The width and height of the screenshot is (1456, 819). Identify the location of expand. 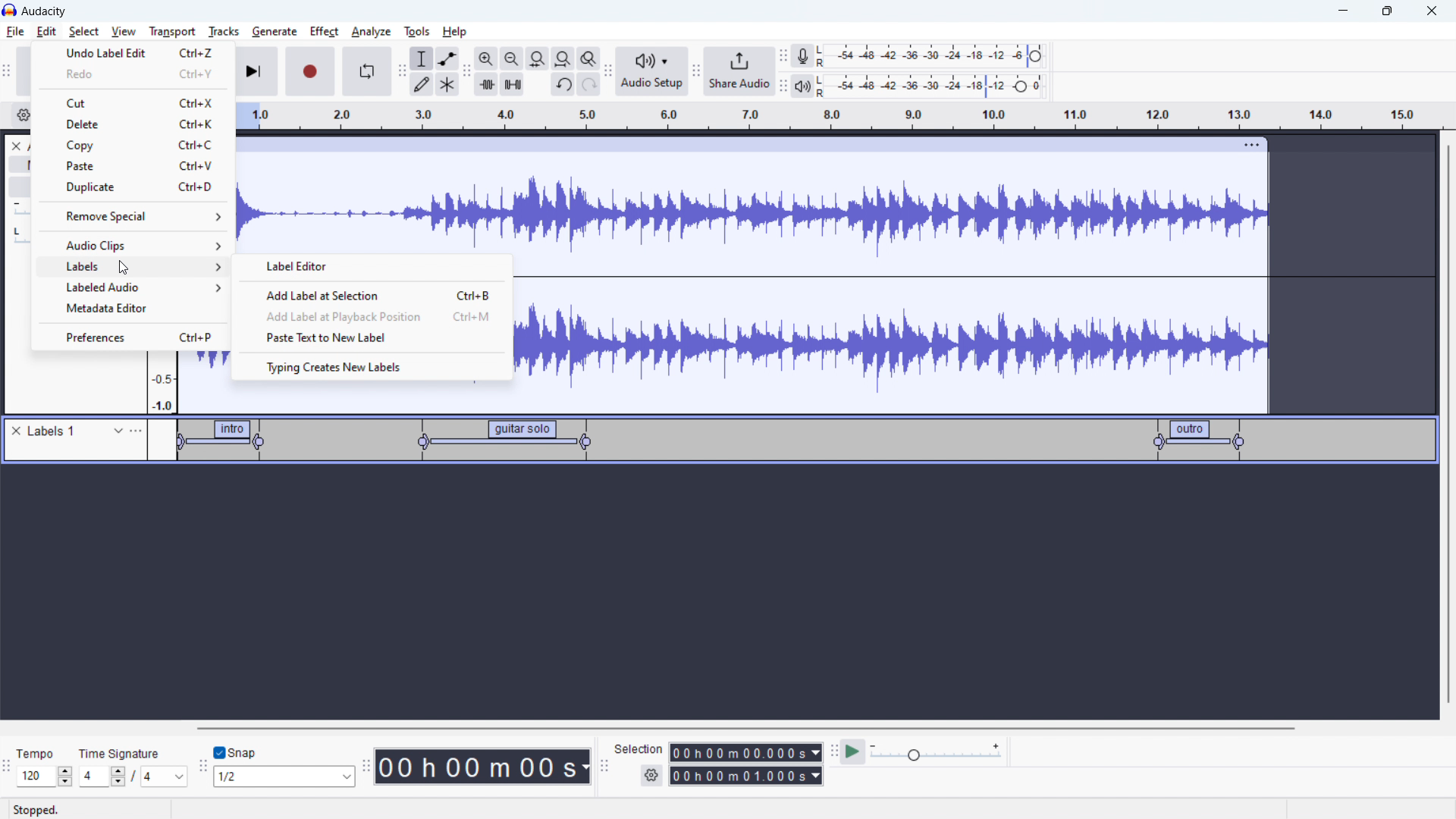
(118, 431).